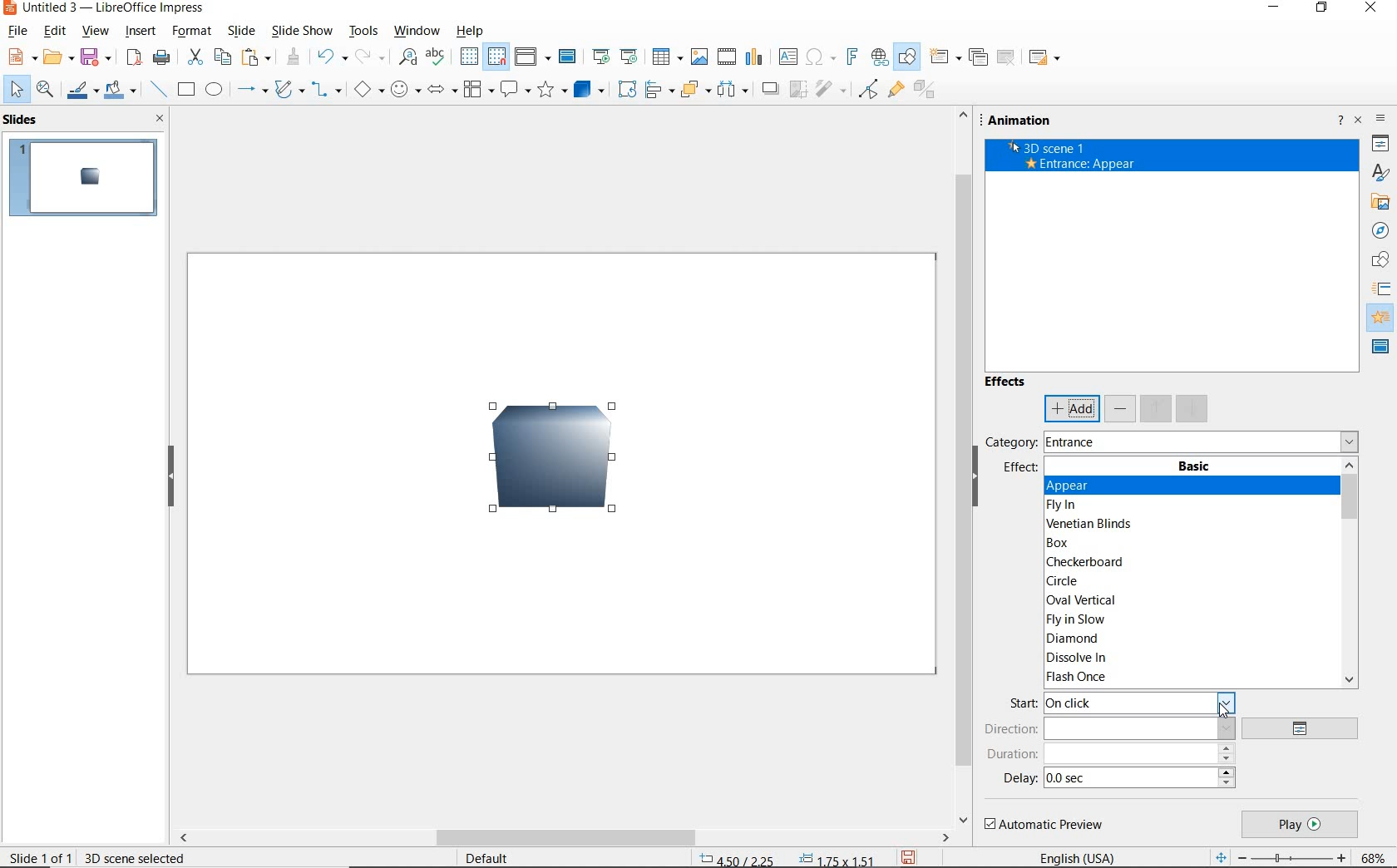 The width and height of the screenshot is (1397, 868). Describe the element at coordinates (257, 56) in the screenshot. I see `paste` at that location.